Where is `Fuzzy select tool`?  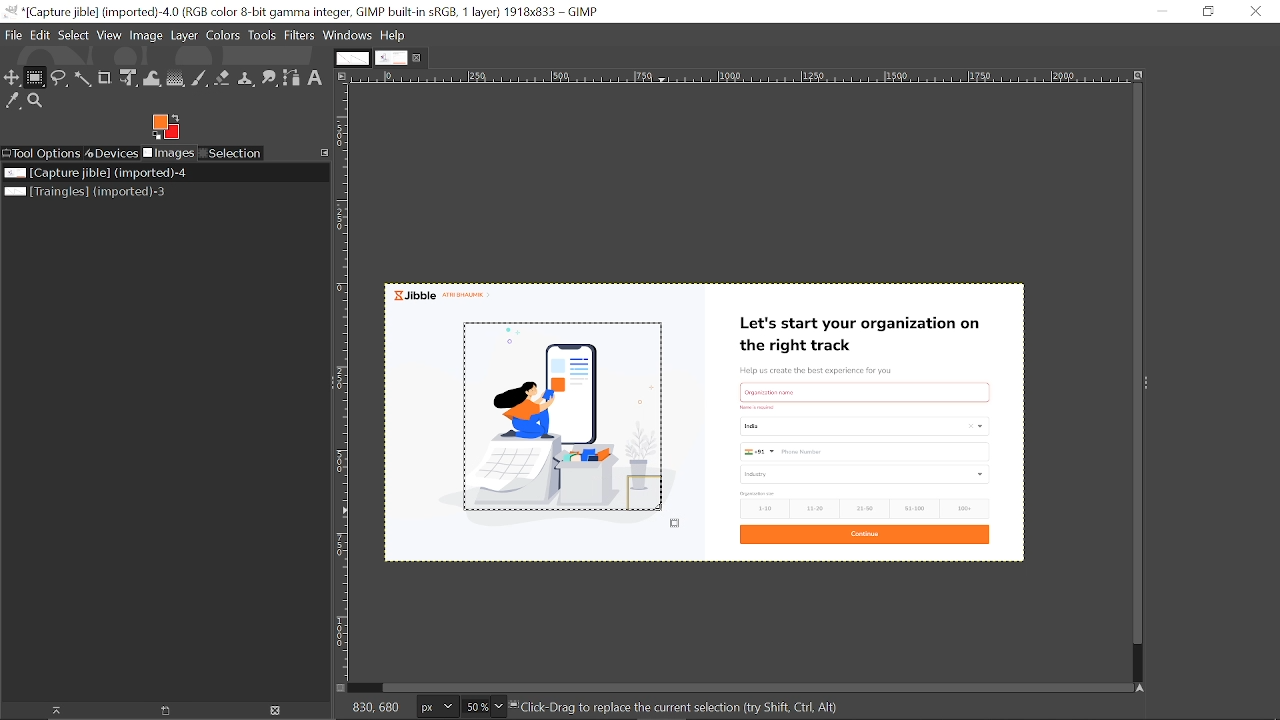 Fuzzy select tool is located at coordinates (82, 79).